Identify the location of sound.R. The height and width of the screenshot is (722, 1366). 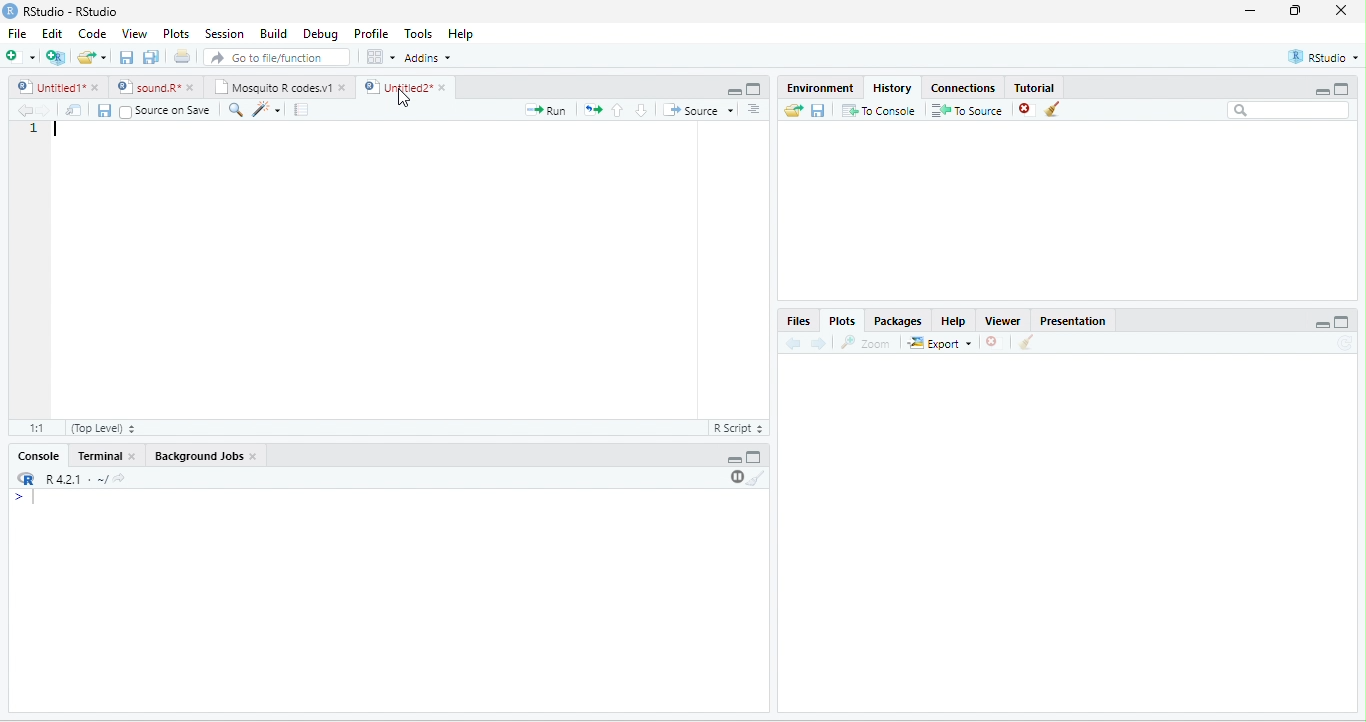
(148, 87).